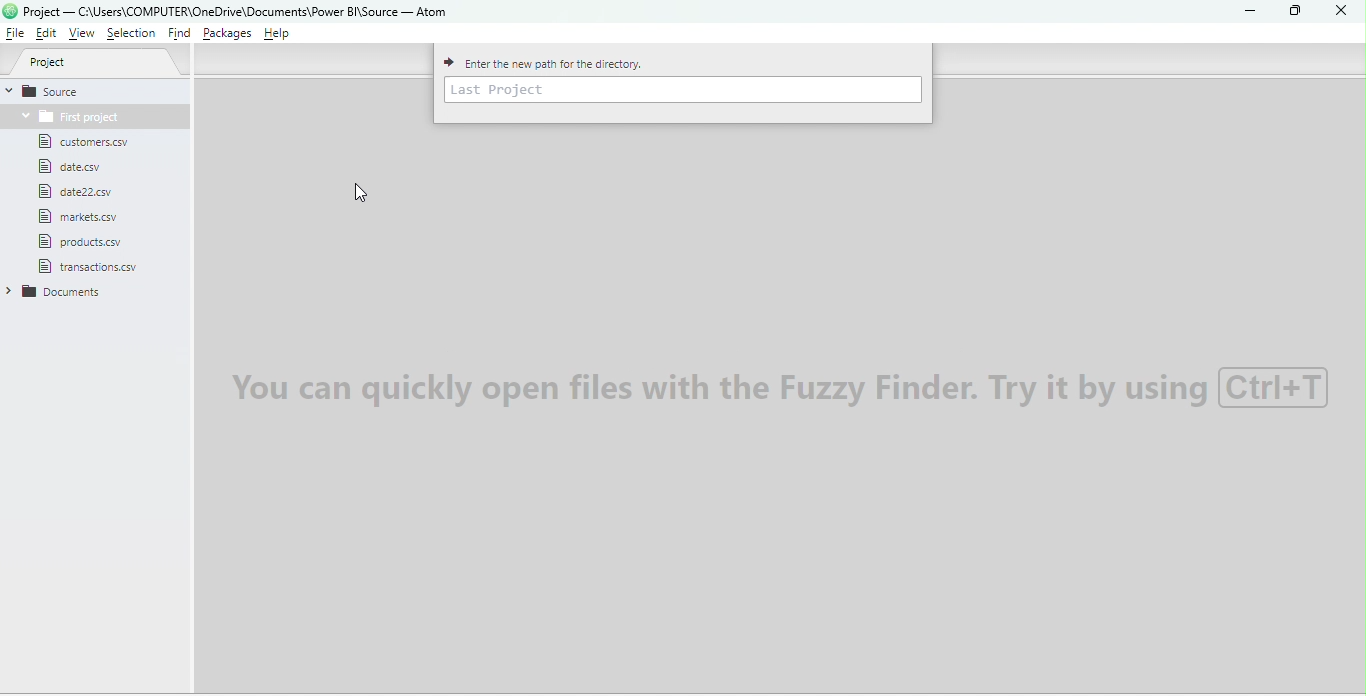 This screenshot has height=696, width=1366. What do you see at coordinates (49, 35) in the screenshot?
I see `Edit` at bounding box center [49, 35].